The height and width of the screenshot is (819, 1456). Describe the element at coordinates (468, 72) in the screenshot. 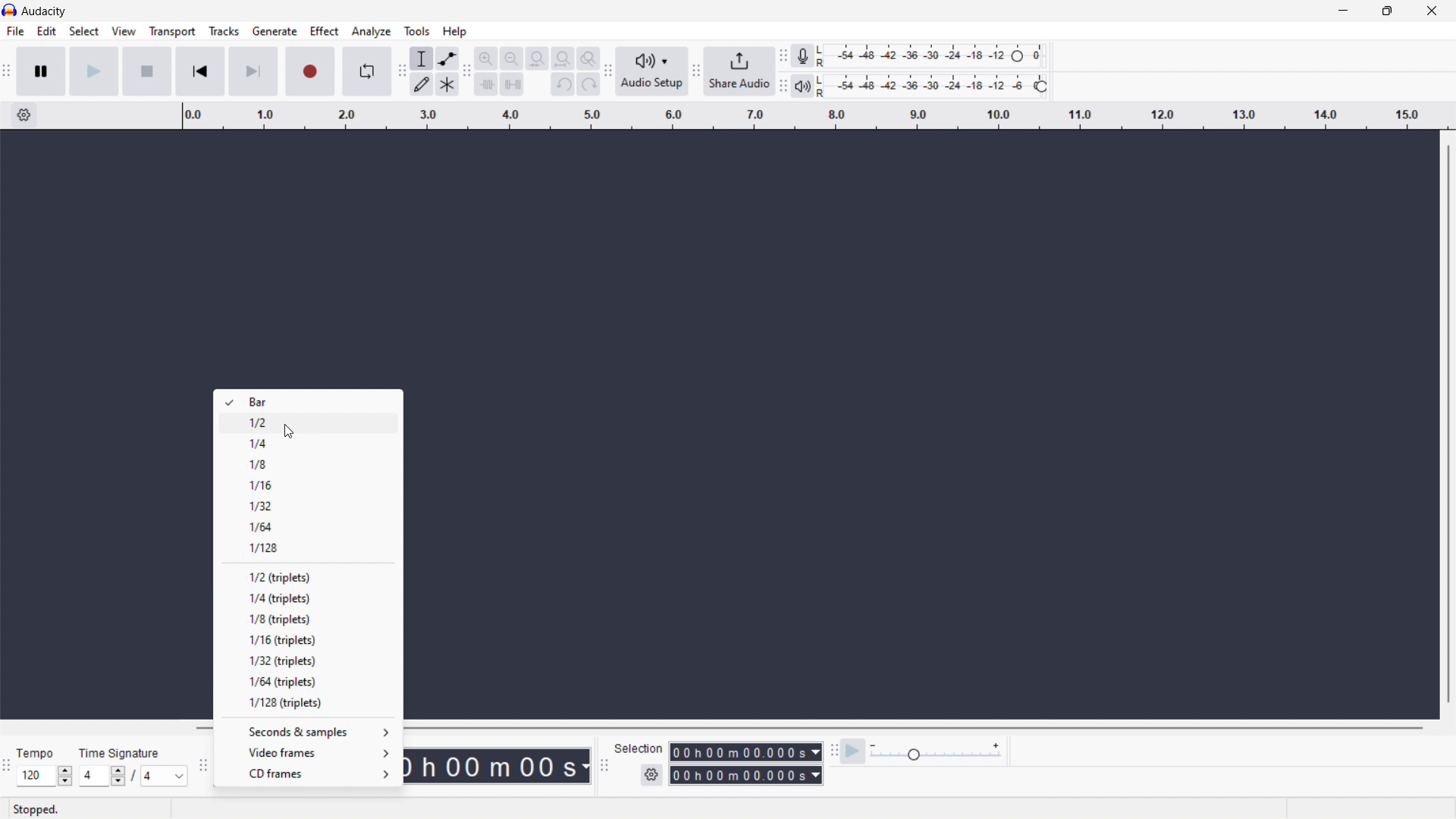

I see `audacity edit toolbar` at that location.